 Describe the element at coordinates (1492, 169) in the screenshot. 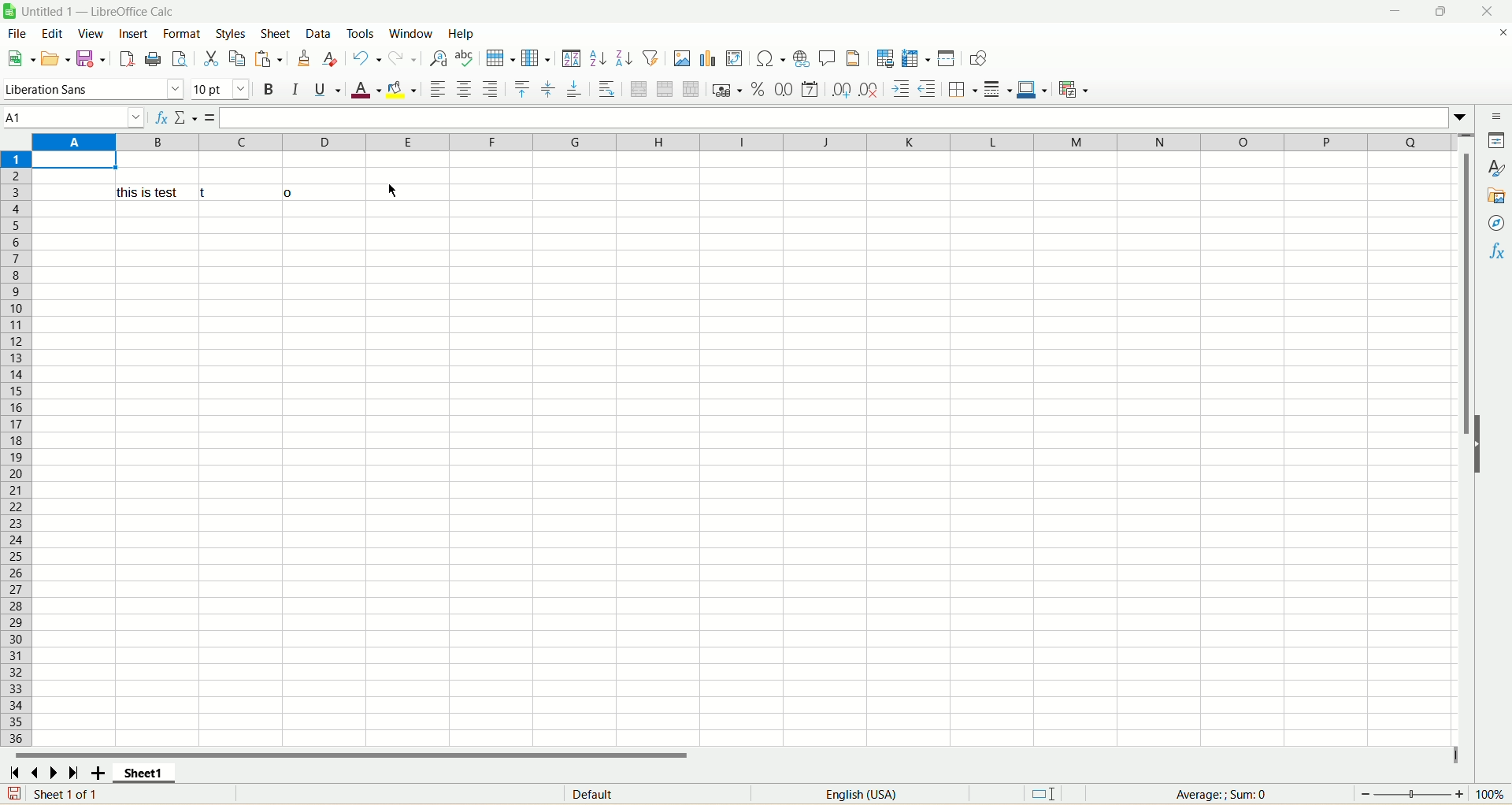

I see `style` at that location.